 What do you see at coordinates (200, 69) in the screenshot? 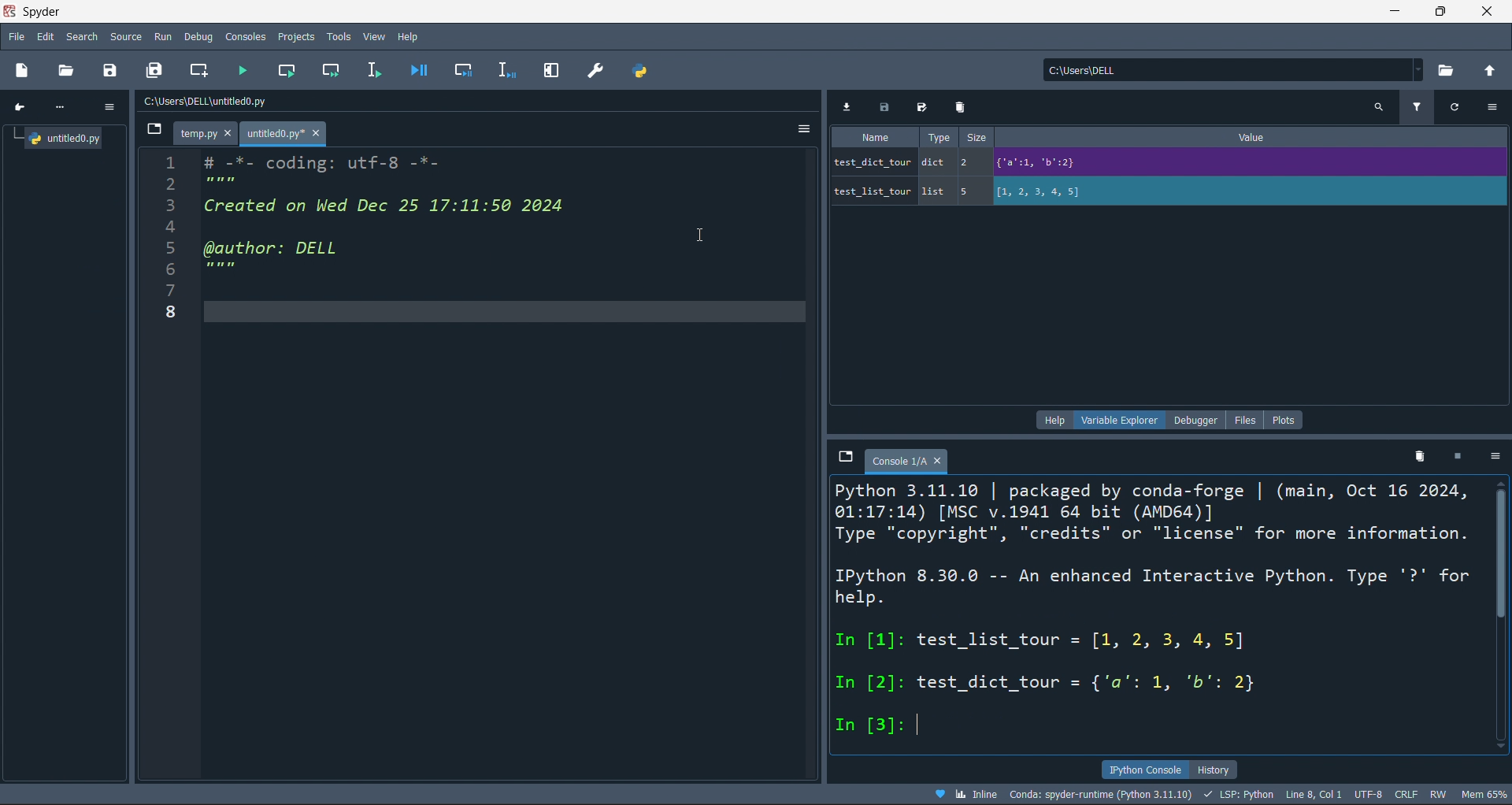
I see `new cell` at bounding box center [200, 69].